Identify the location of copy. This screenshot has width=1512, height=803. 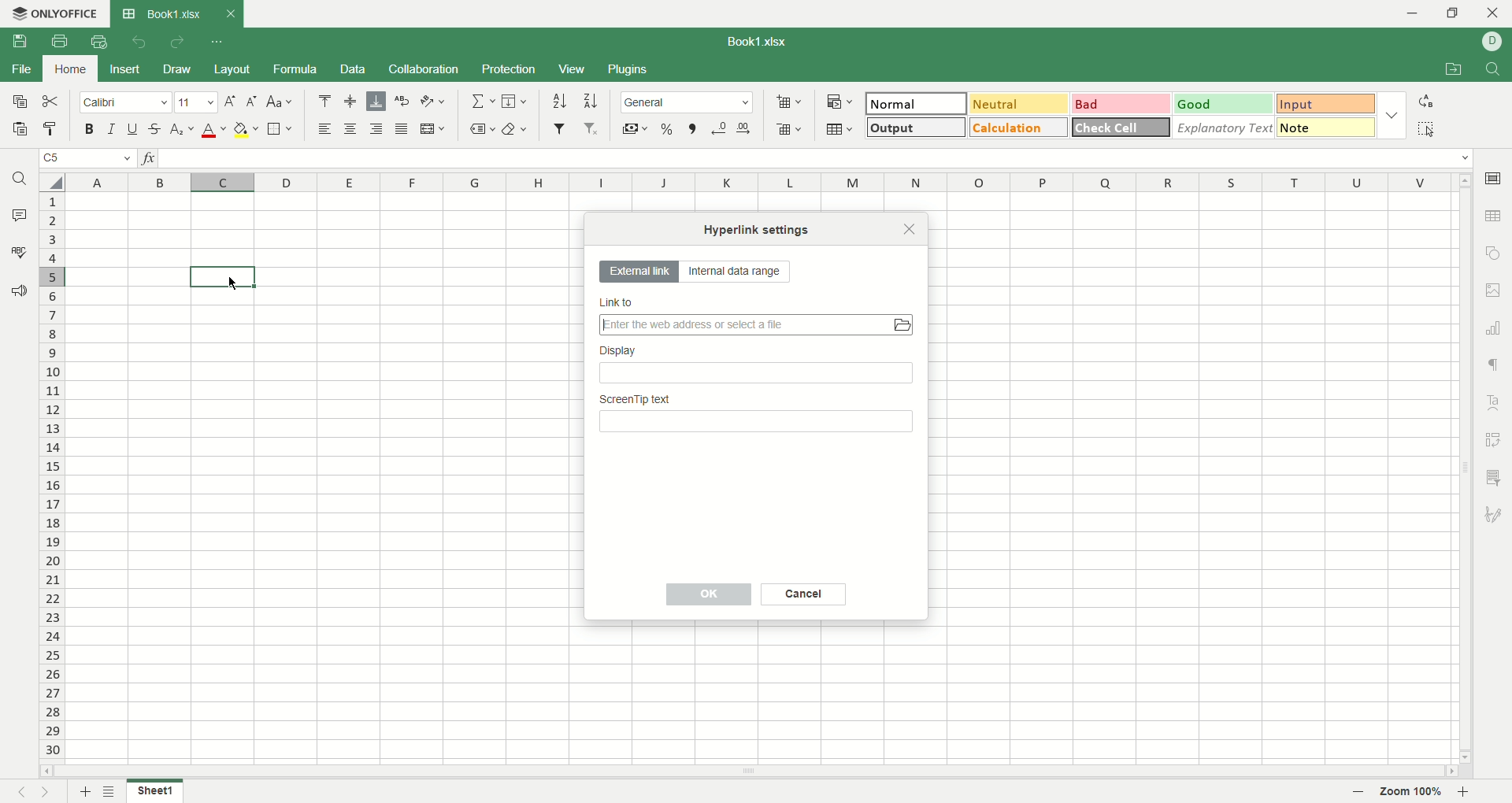
(18, 105).